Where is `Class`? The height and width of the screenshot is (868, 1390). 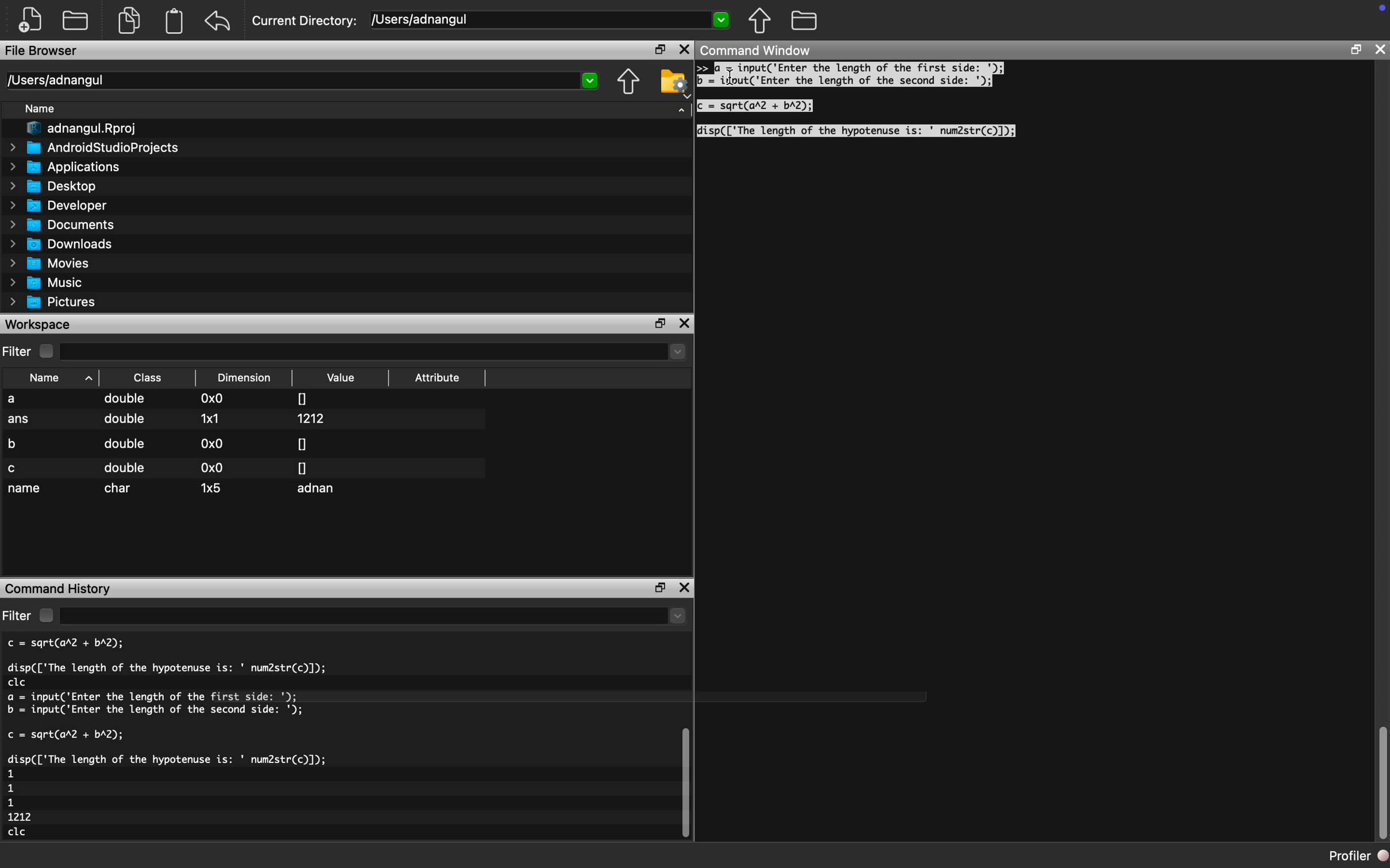 Class is located at coordinates (148, 377).